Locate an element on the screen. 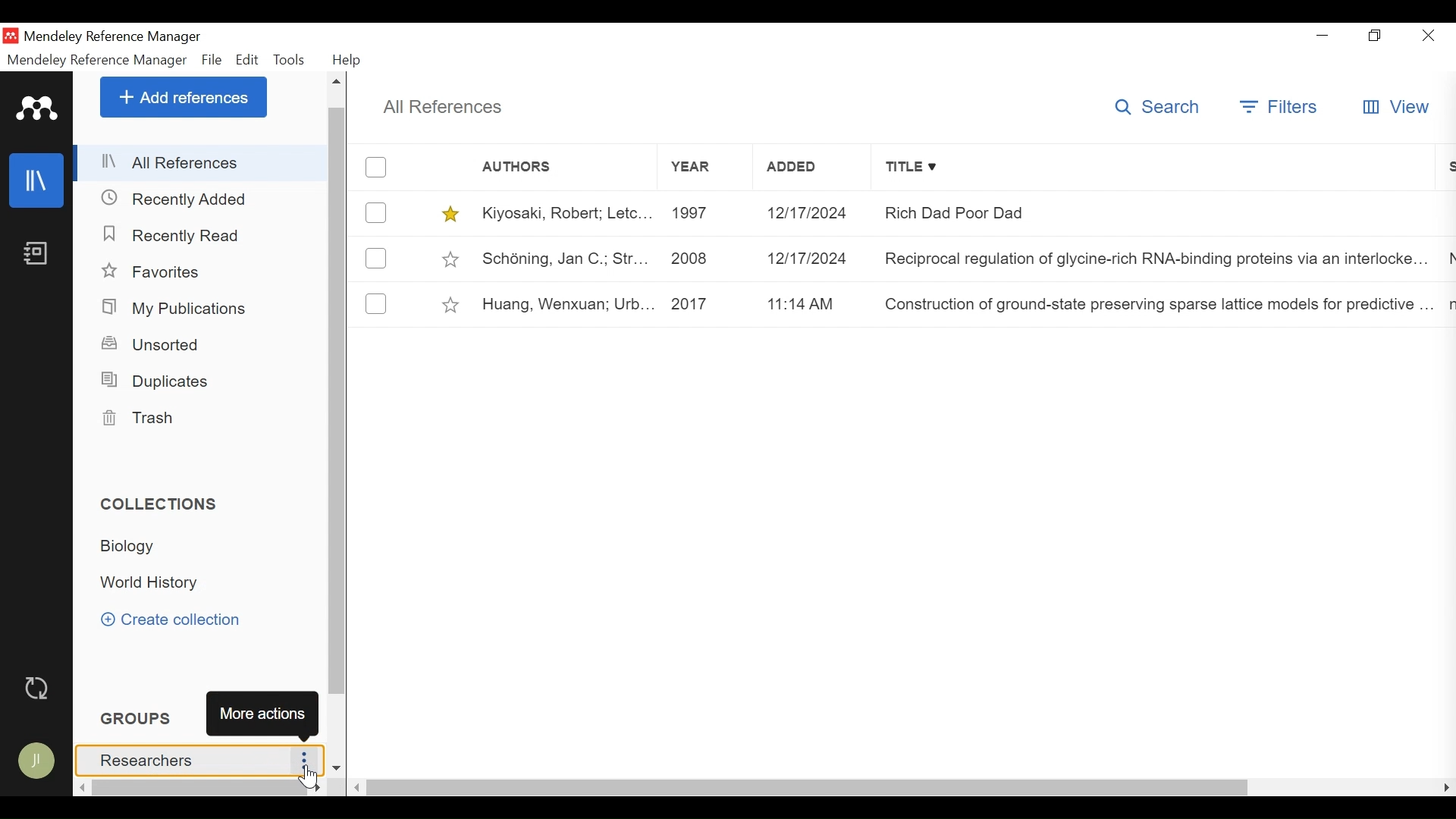 The image size is (1456, 819). Search is located at coordinates (1154, 108).